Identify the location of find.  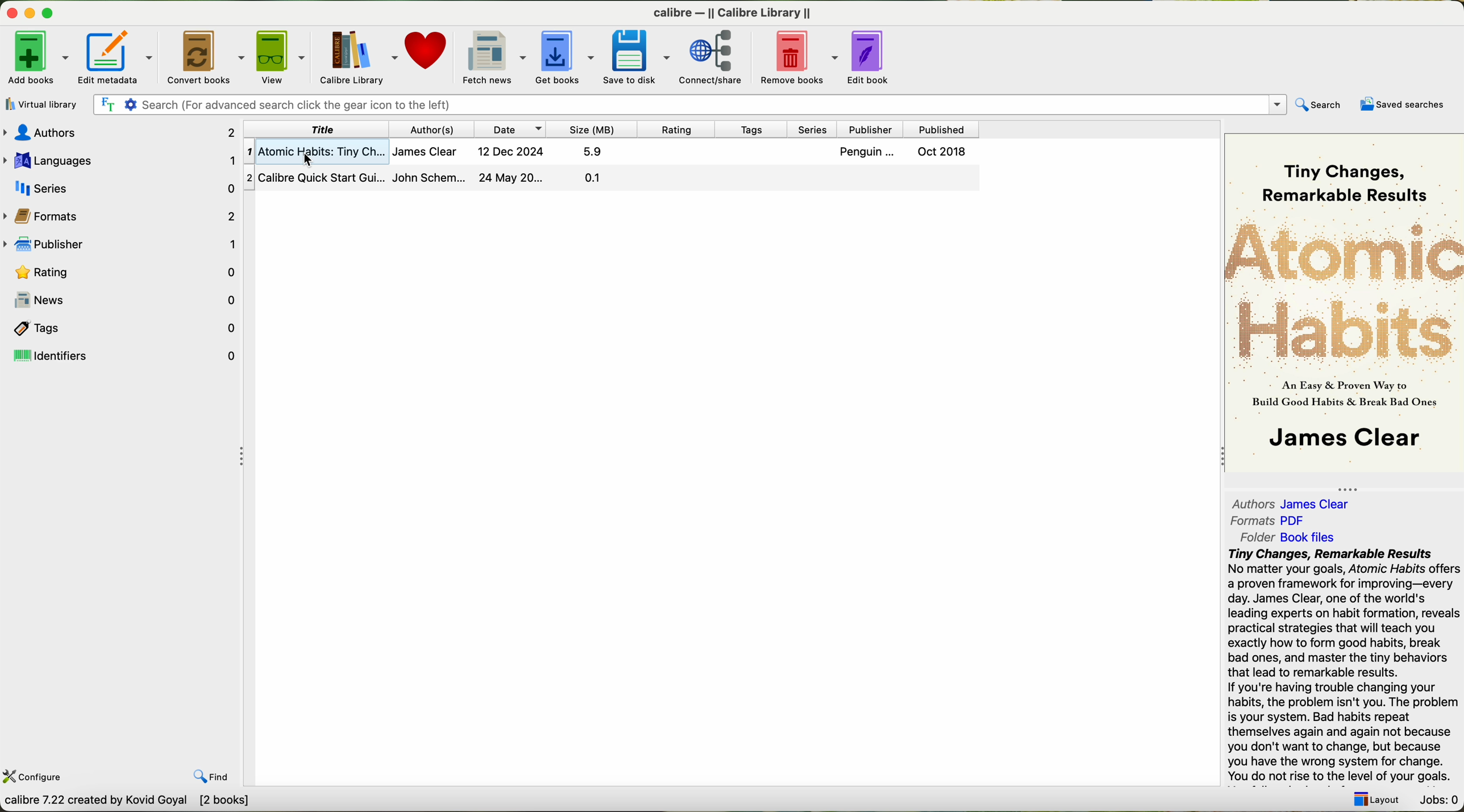
(211, 776).